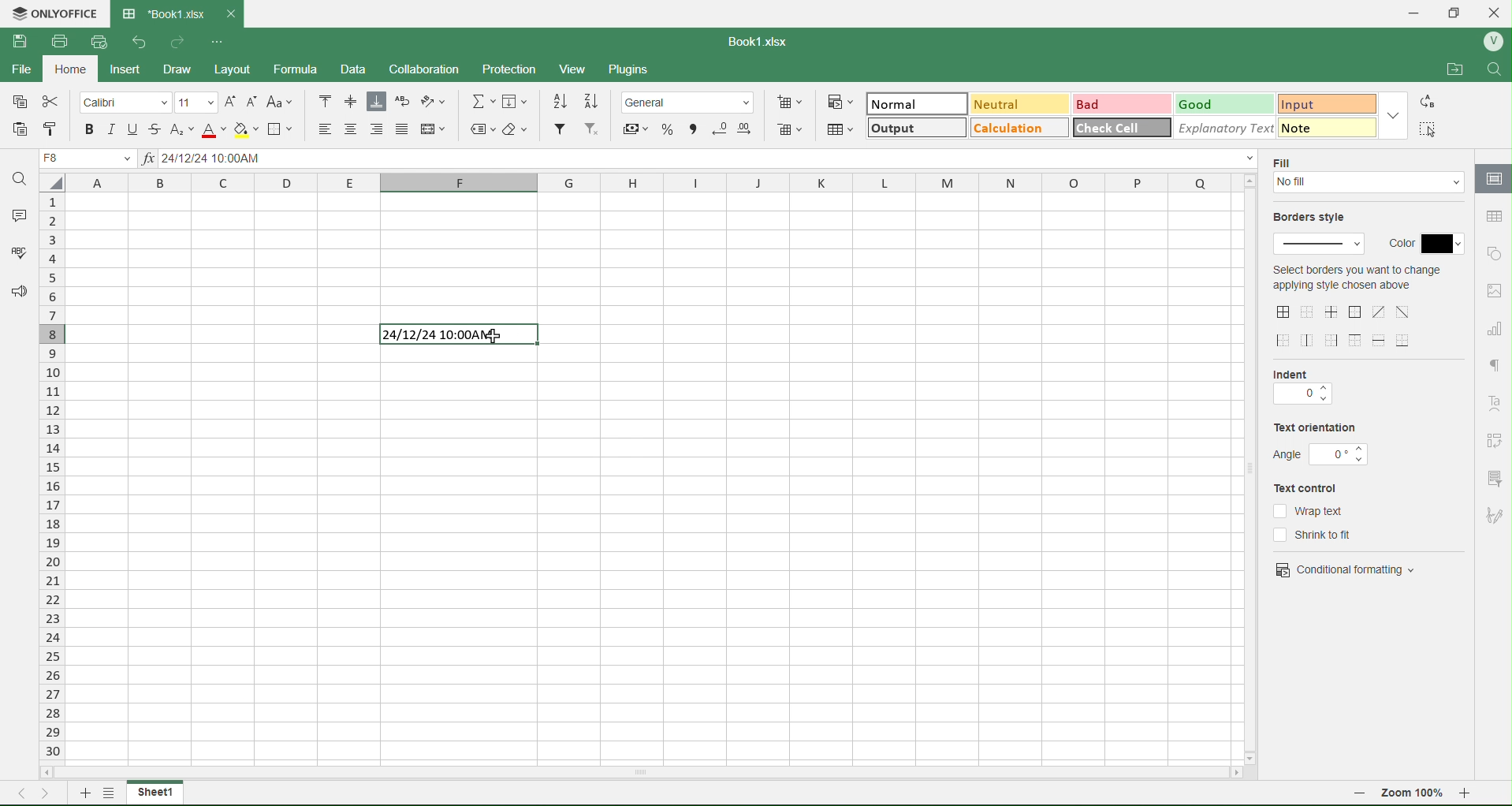 This screenshot has width=1512, height=806. What do you see at coordinates (48, 129) in the screenshot?
I see `Copy Style` at bounding box center [48, 129].